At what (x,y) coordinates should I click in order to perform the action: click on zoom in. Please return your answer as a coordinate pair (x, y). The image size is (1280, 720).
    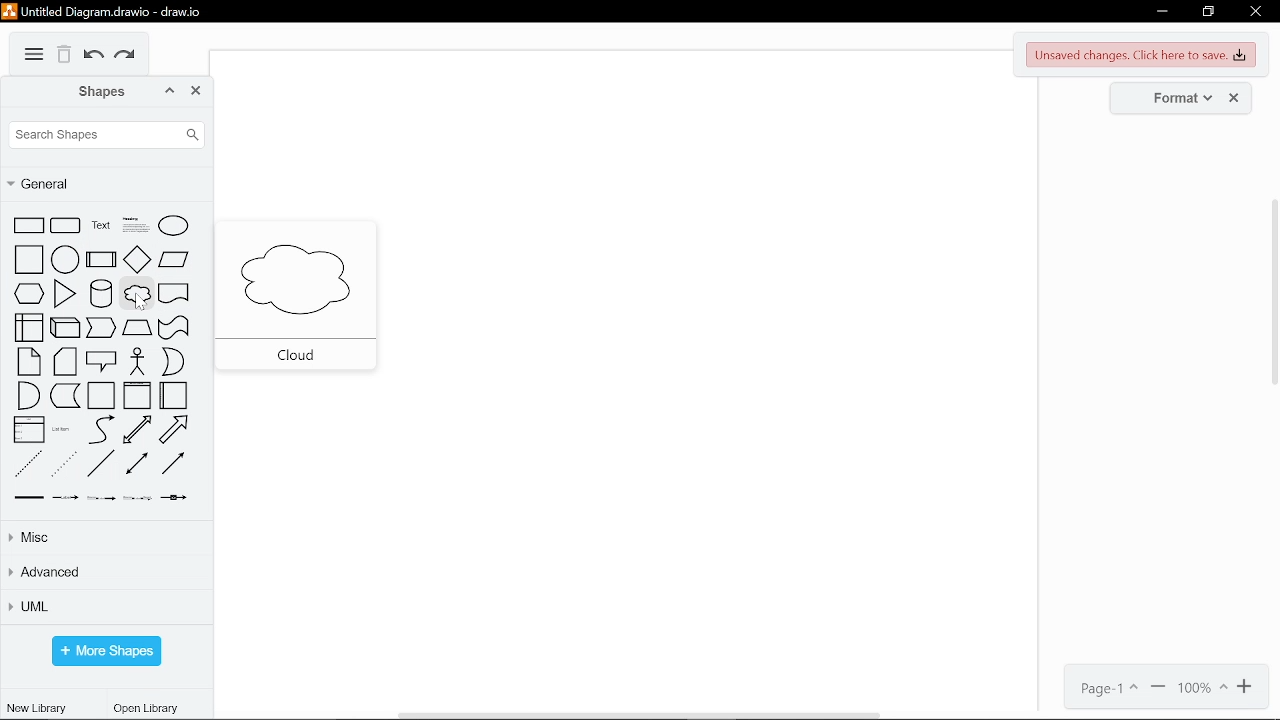
    Looking at the image, I should click on (1250, 687).